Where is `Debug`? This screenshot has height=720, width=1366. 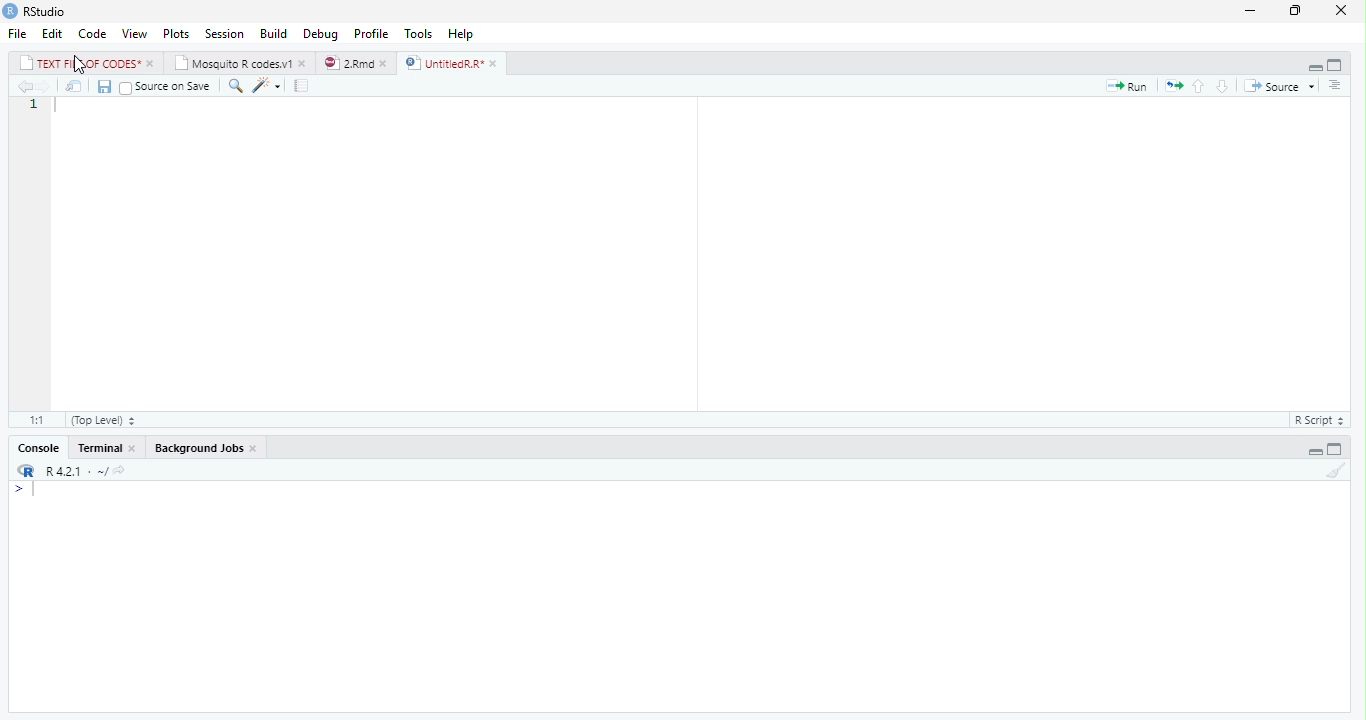
Debug is located at coordinates (321, 33).